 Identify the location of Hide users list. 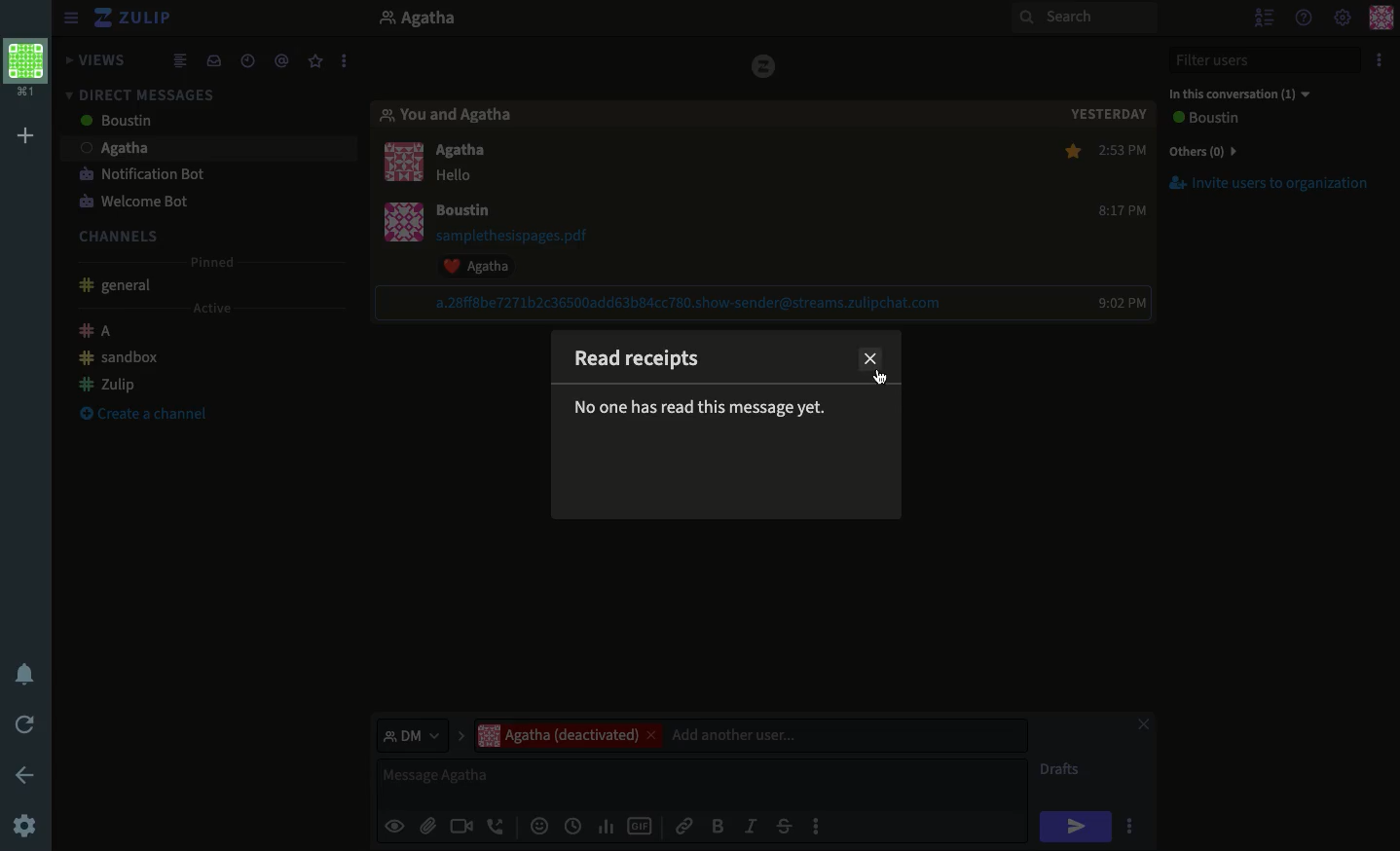
(1264, 16).